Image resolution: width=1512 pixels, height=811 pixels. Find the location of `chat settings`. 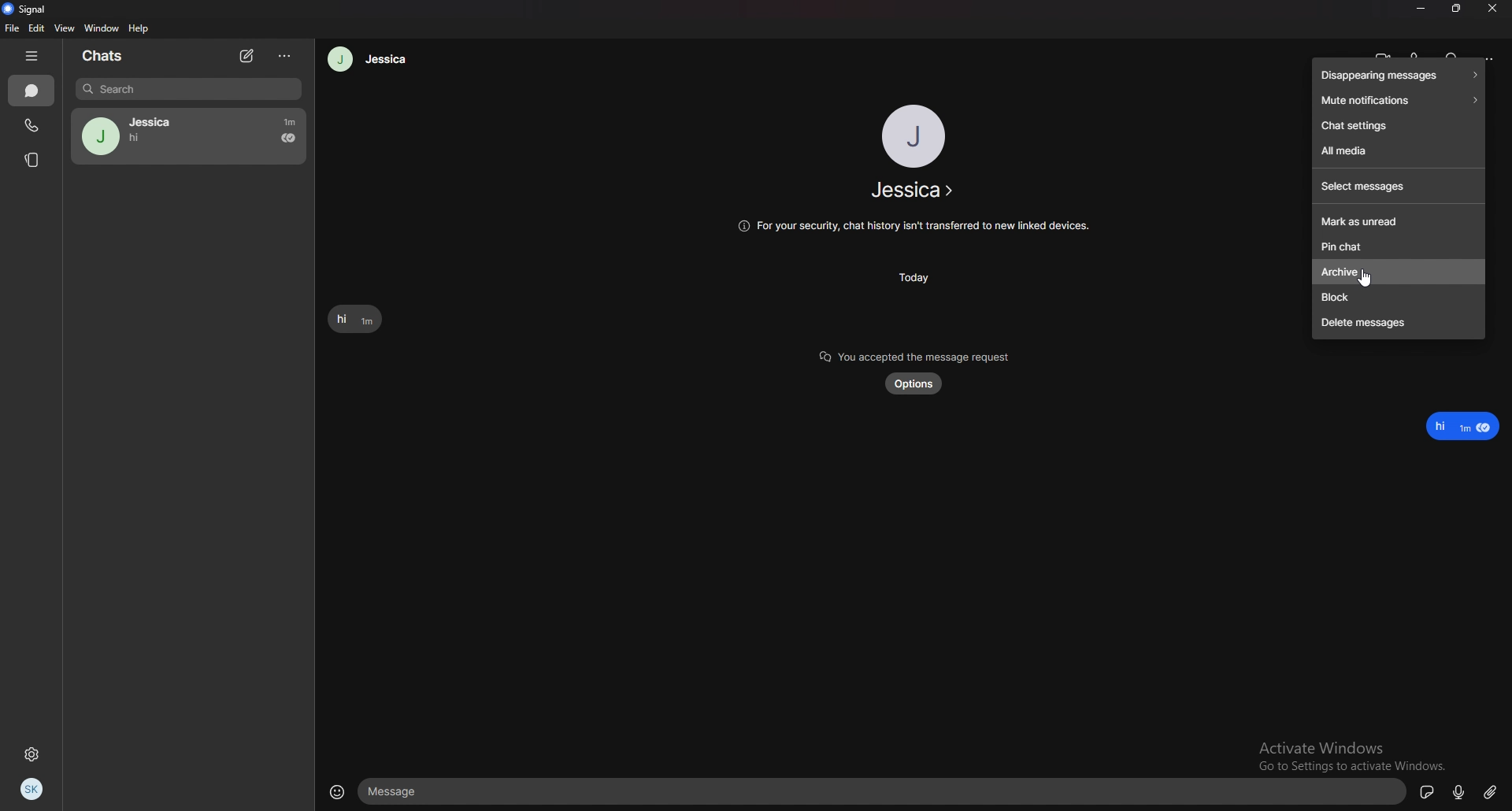

chat settings is located at coordinates (1399, 124).